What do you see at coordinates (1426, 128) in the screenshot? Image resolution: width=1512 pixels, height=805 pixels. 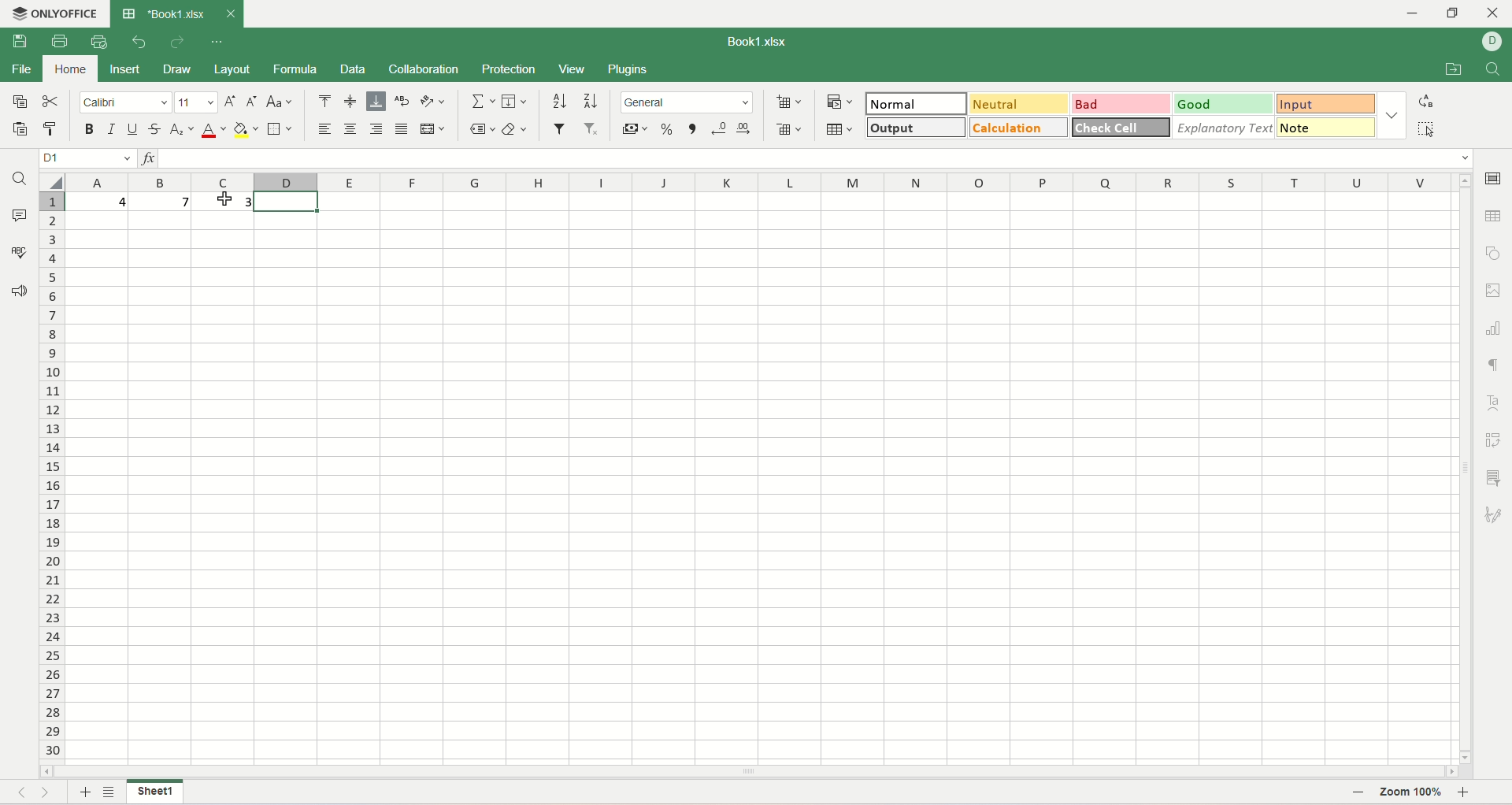 I see `select all` at bounding box center [1426, 128].